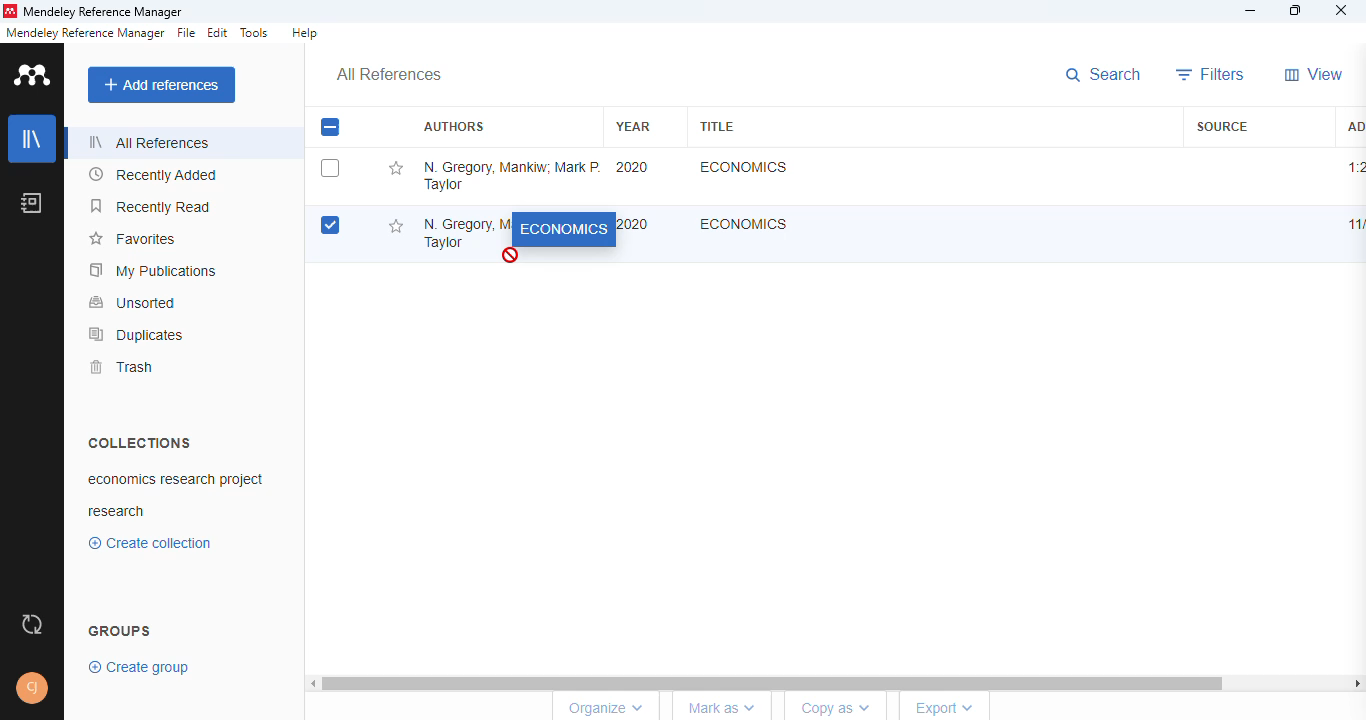 The width and height of the screenshot is (1366, 720). What do you see at coordinates (9, 11) in the screenshot?
I see `logo` at bounding box center [9, 11].